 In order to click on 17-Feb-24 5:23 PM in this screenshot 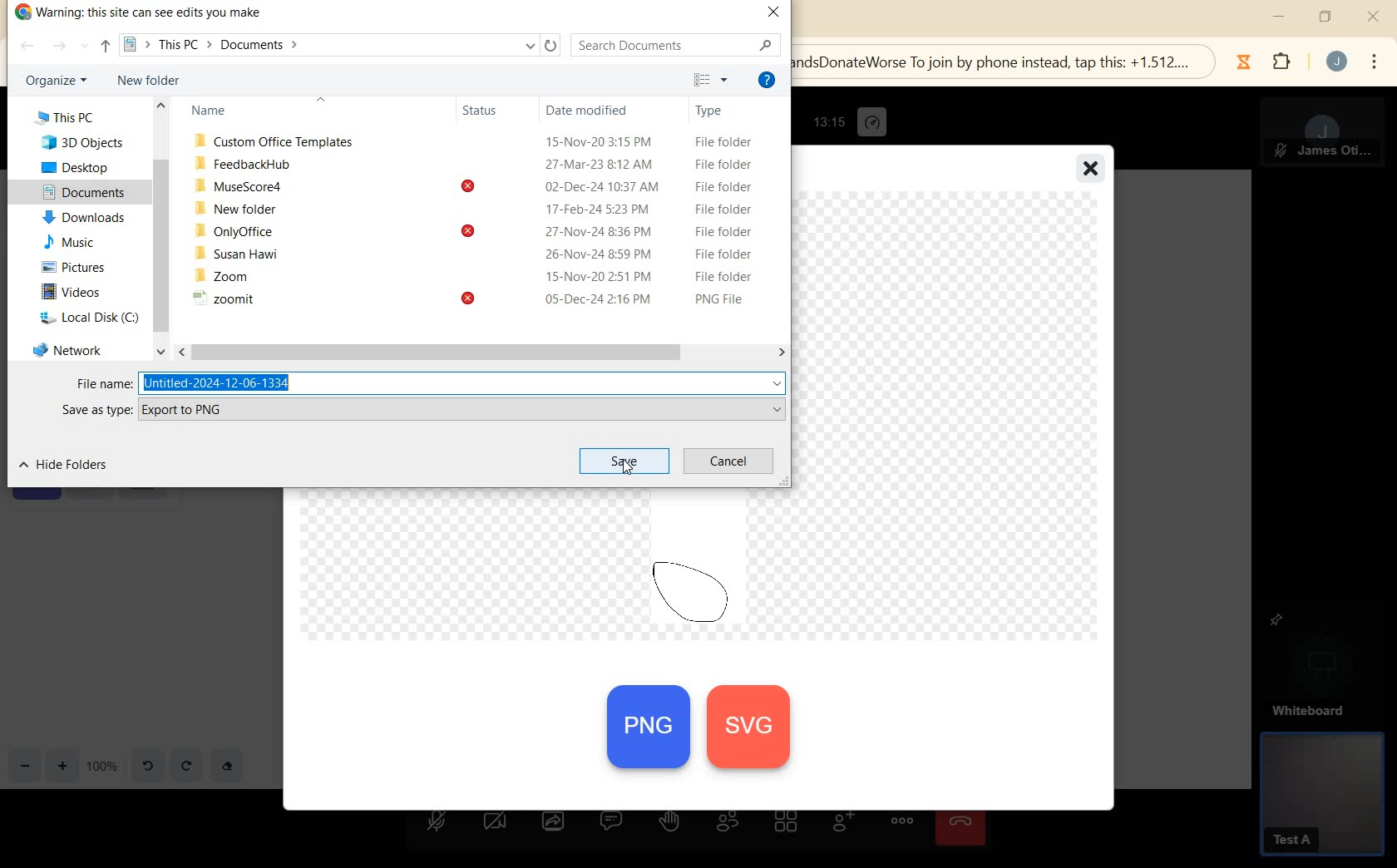, I will do `click(596, 206)`.